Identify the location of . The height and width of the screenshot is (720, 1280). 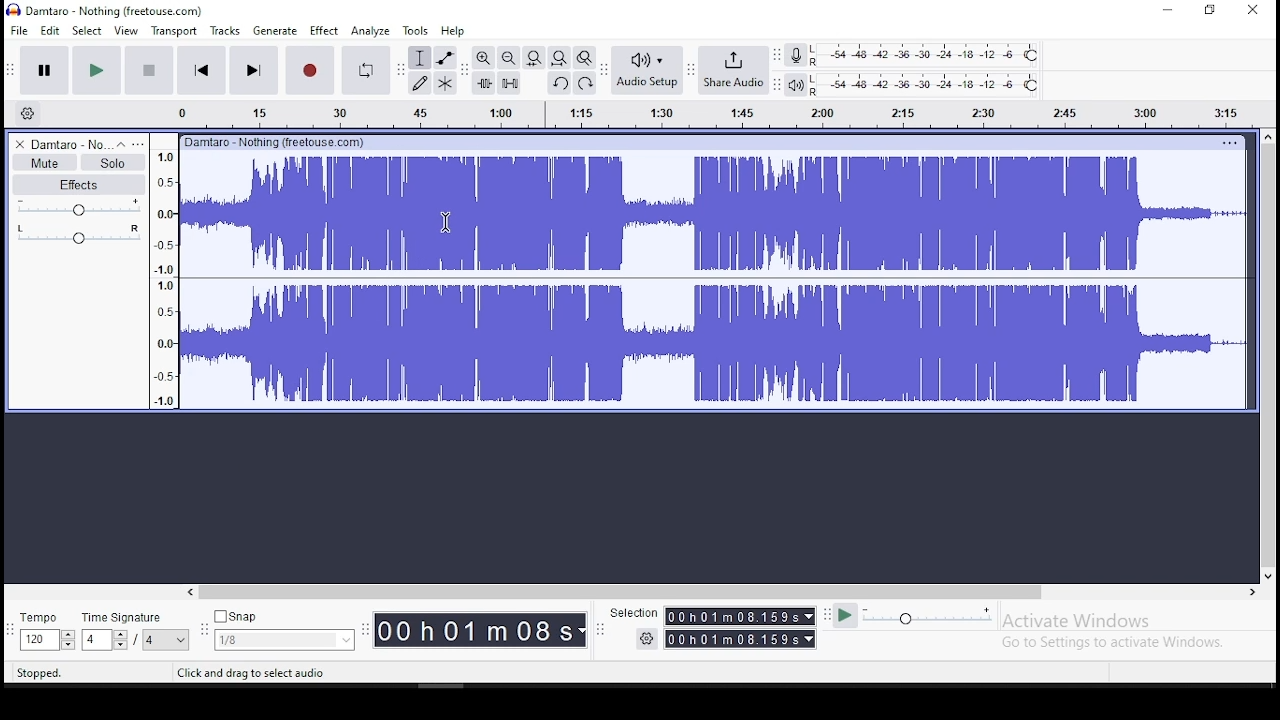
(775, 55).